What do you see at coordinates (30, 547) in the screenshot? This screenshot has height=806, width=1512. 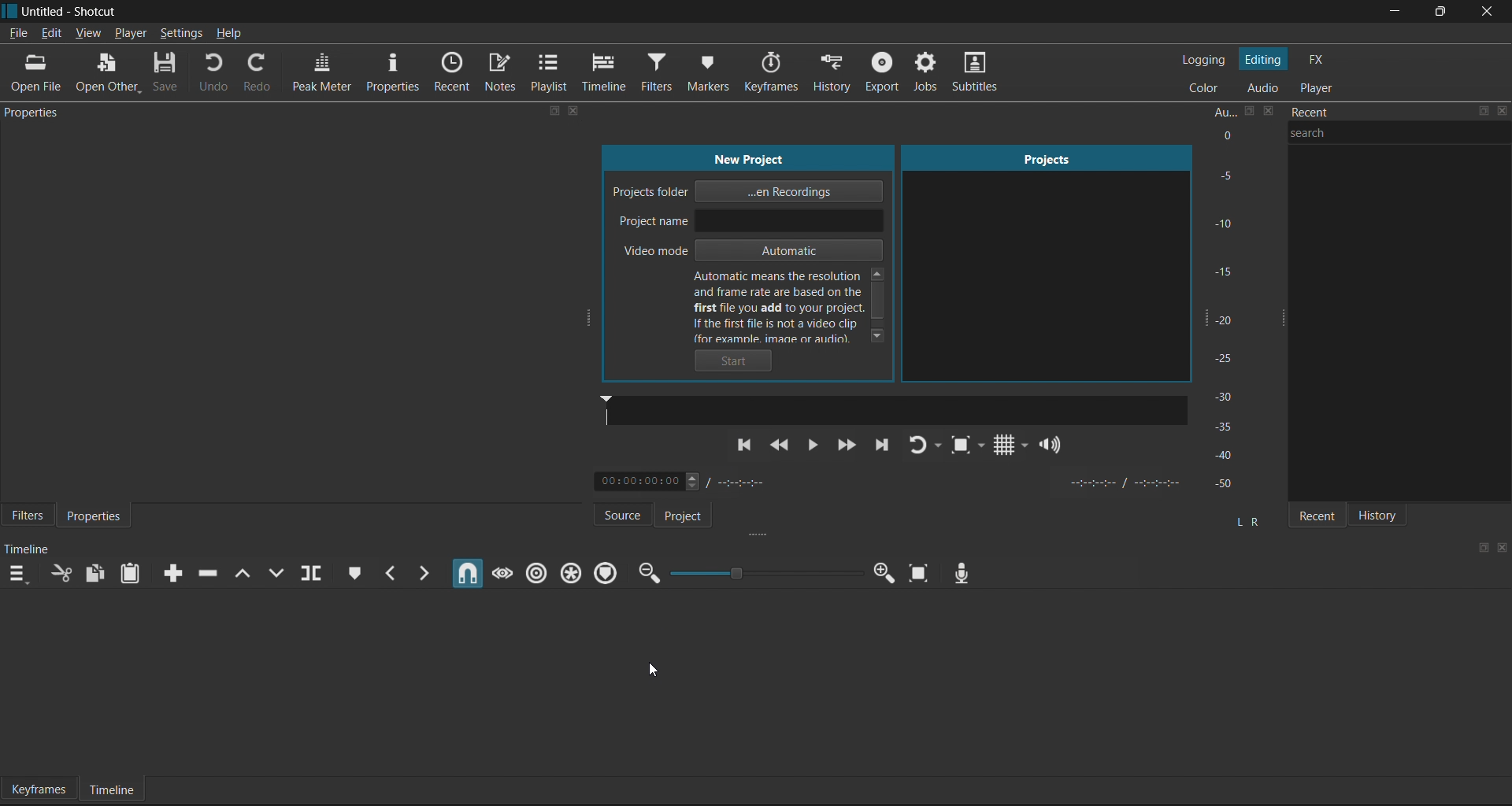 I see `timeline` at bounding box center [30, 547].